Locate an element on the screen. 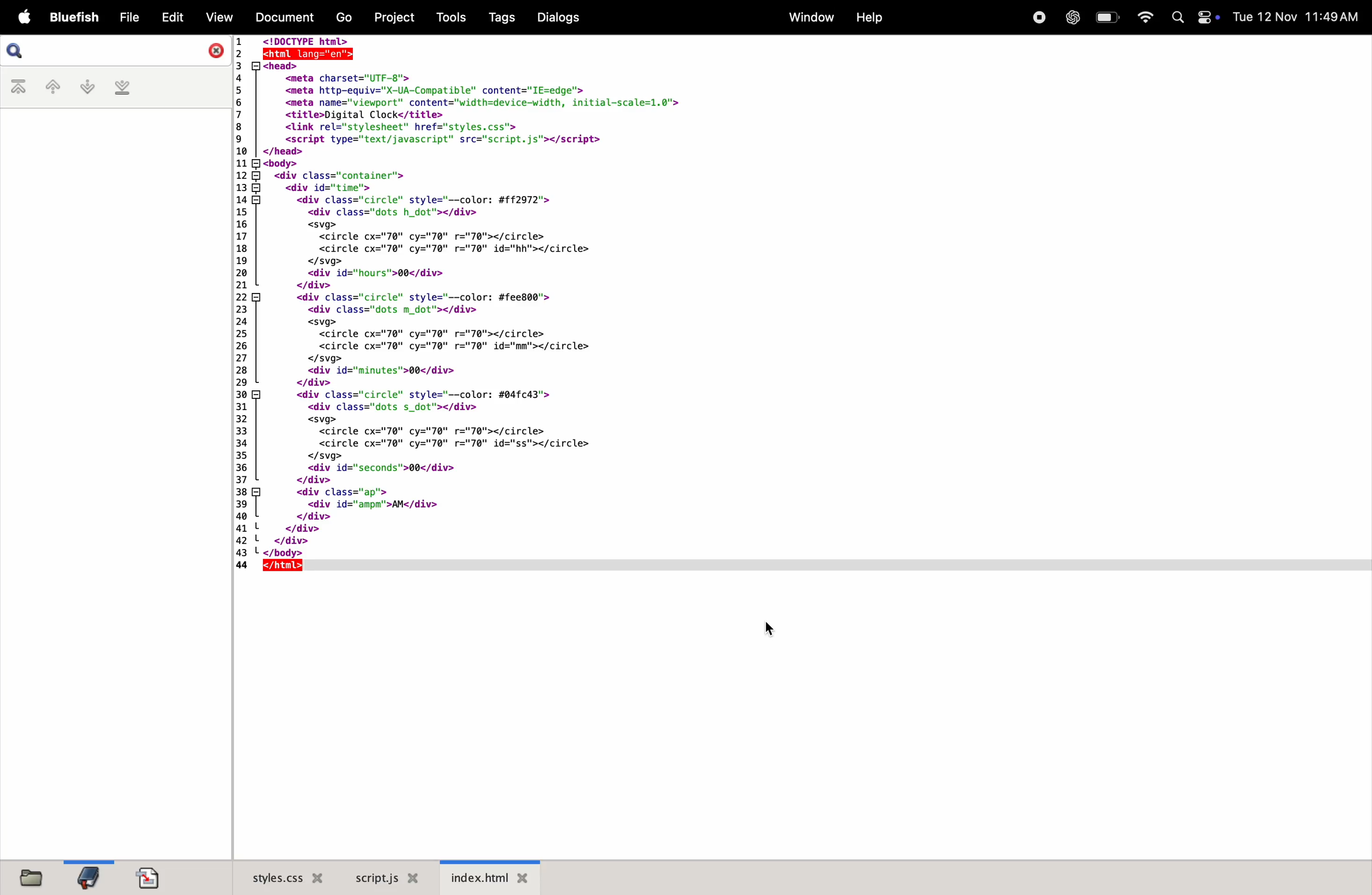 Image resolution: width=1372 pixels, height=895 pixels. date and time is located at coordinates (1298, 19).